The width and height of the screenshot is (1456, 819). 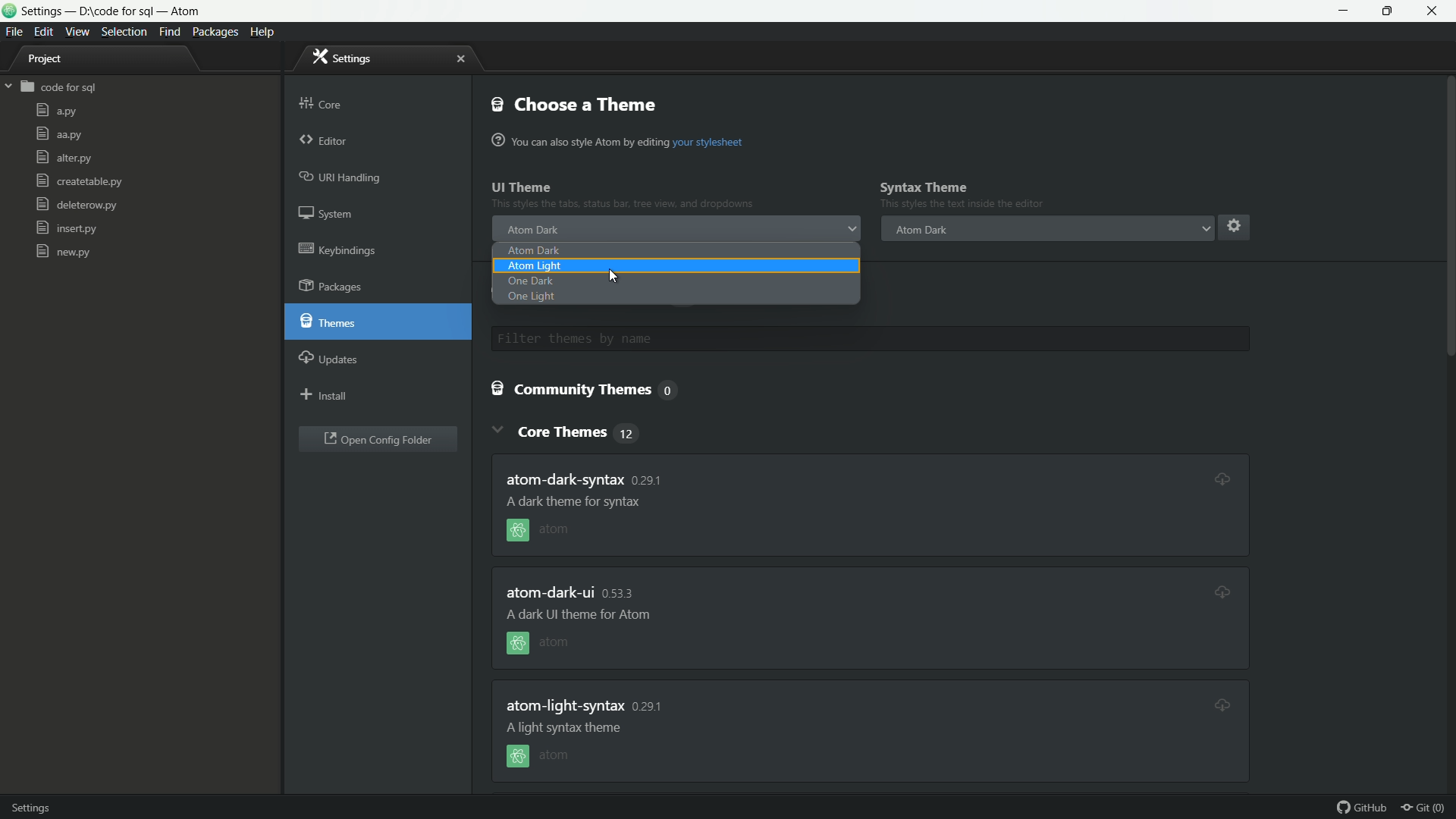 What do you see at coordinates (378, 441) in the screenshot?
I see `open config folder` at bounding box center [378, 441].